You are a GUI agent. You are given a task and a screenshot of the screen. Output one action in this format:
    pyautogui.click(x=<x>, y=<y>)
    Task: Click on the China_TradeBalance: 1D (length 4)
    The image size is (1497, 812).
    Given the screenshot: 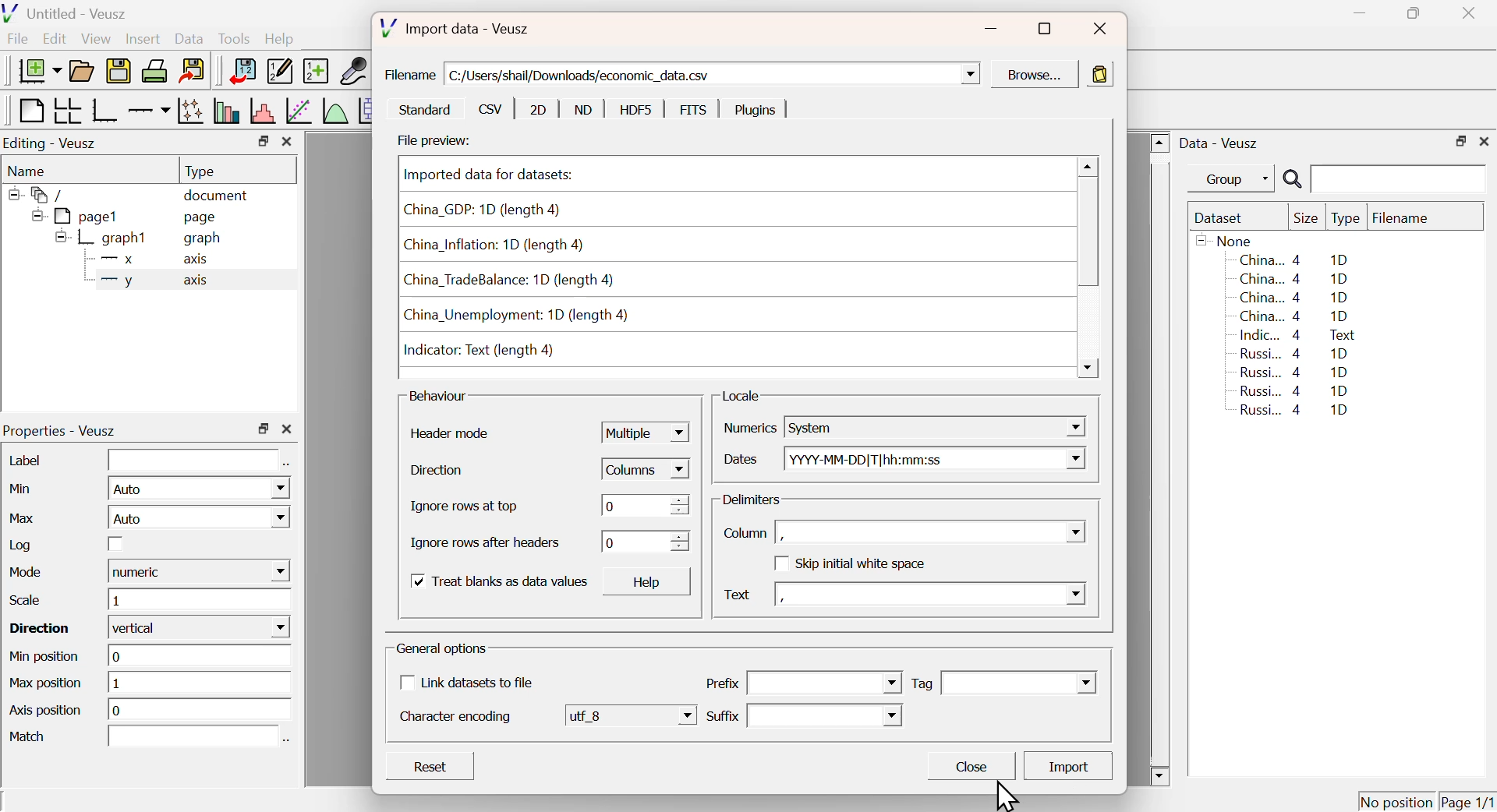 What is the action you would take?
    pyautogui.click(x=513, y=281)
    